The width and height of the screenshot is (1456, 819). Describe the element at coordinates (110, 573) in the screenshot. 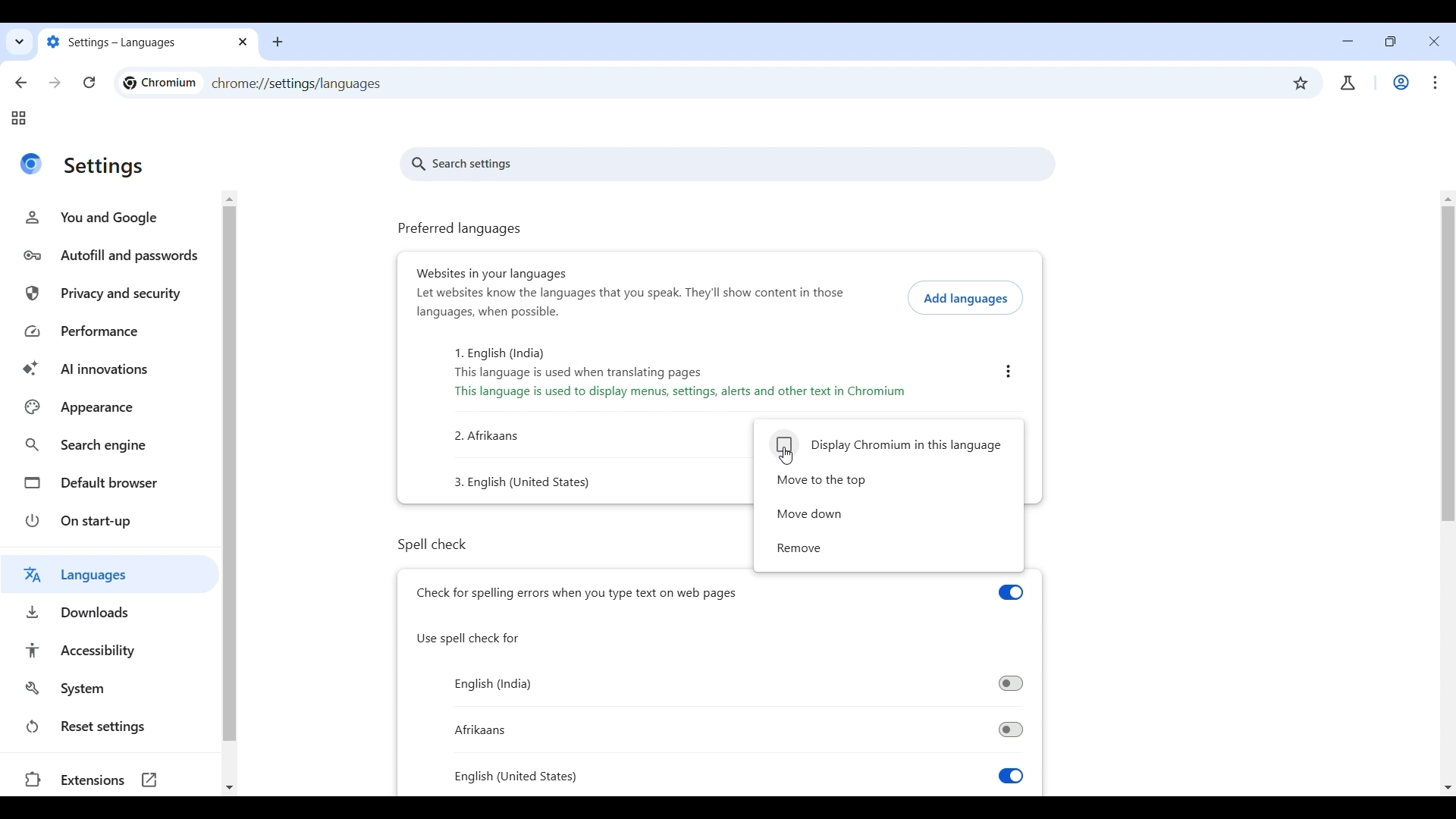

I see `Languages highlighted` at that location.